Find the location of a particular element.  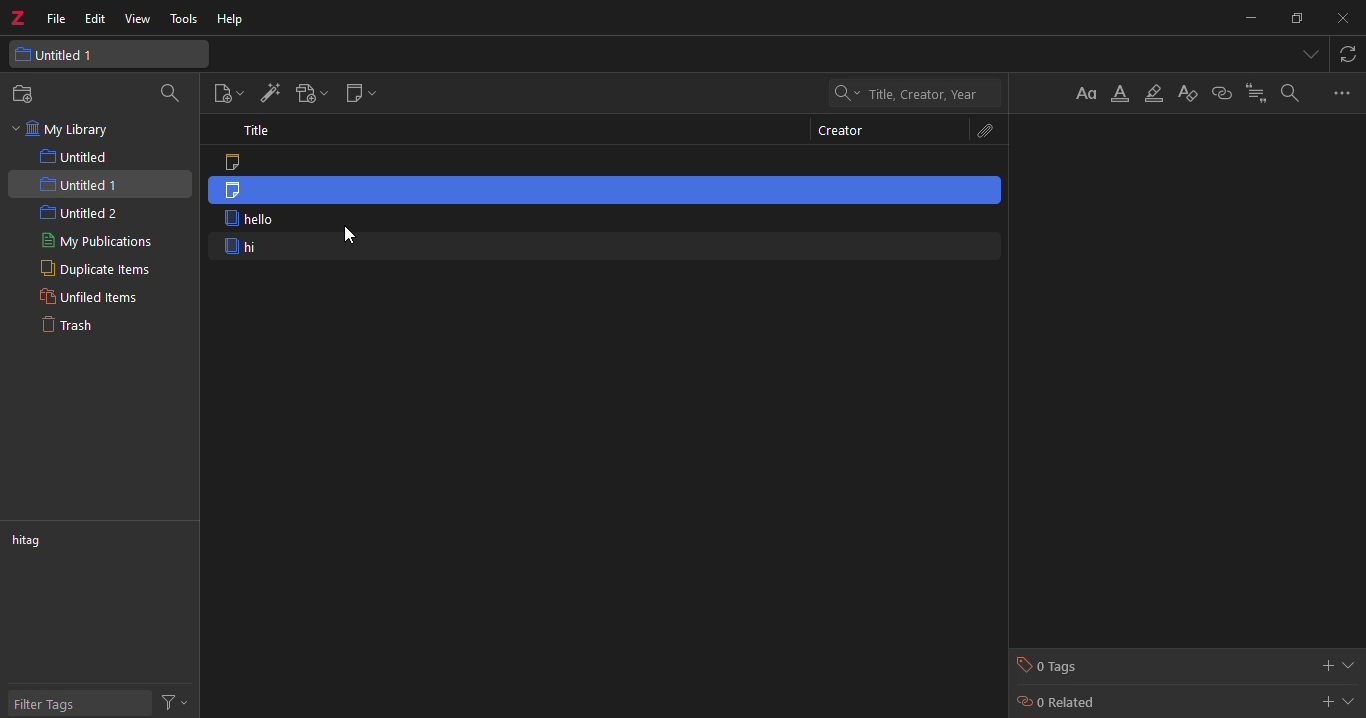

format text is located at coordinates (1081, 94).